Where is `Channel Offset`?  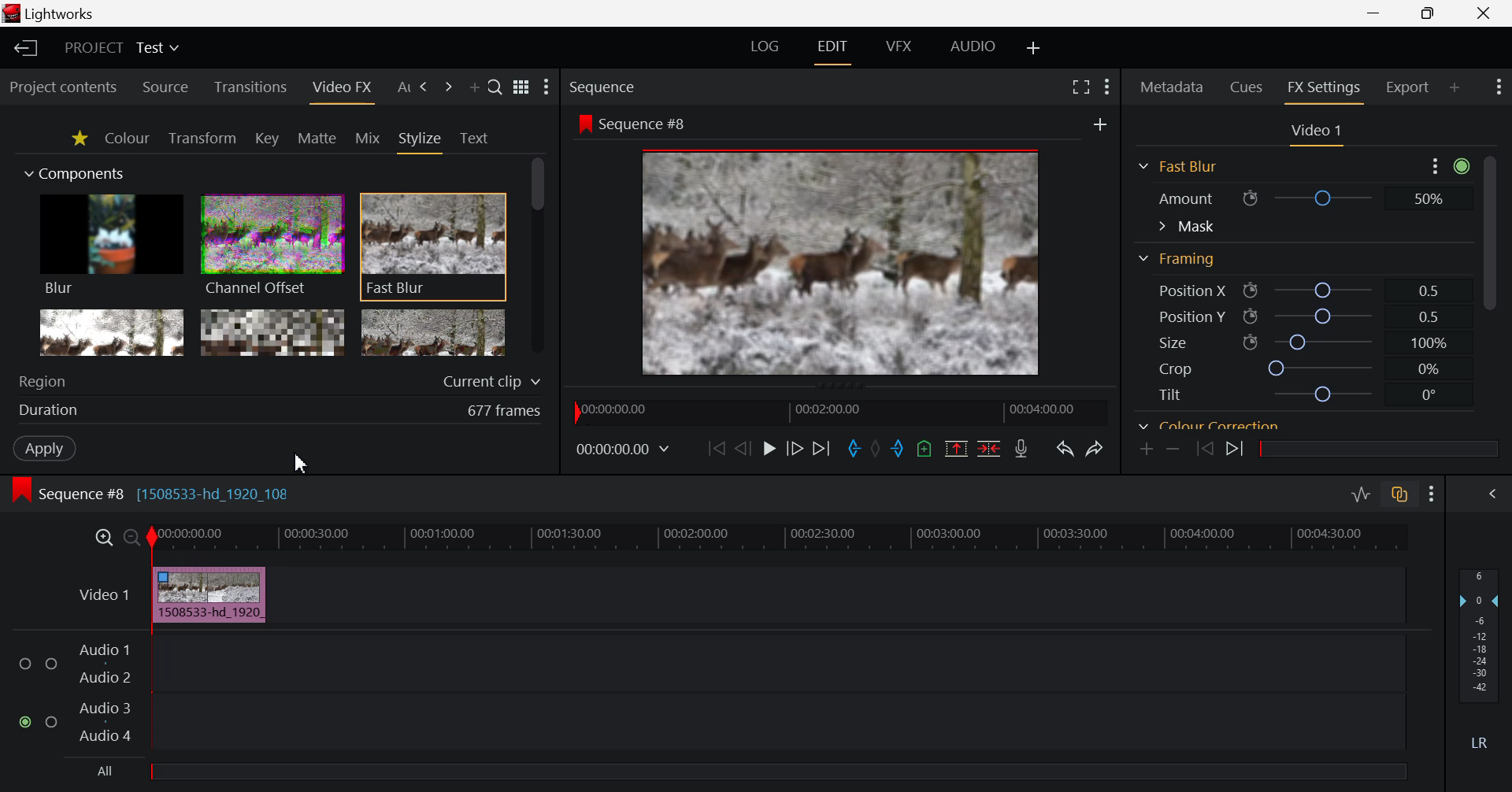
Channel Offset is located at coordinates (271, 246).